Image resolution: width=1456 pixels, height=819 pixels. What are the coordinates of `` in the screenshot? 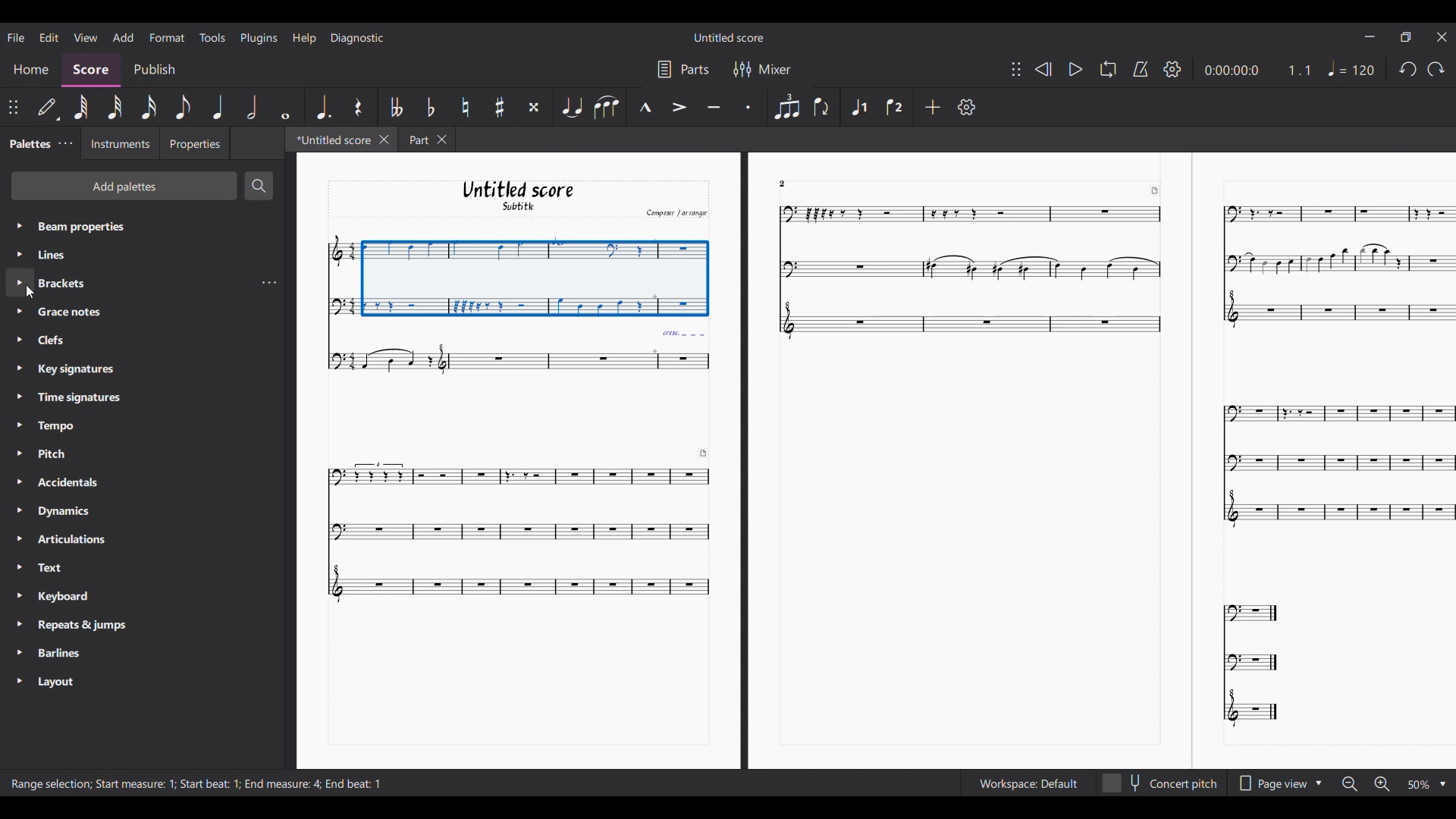 It's located at (21, 628).